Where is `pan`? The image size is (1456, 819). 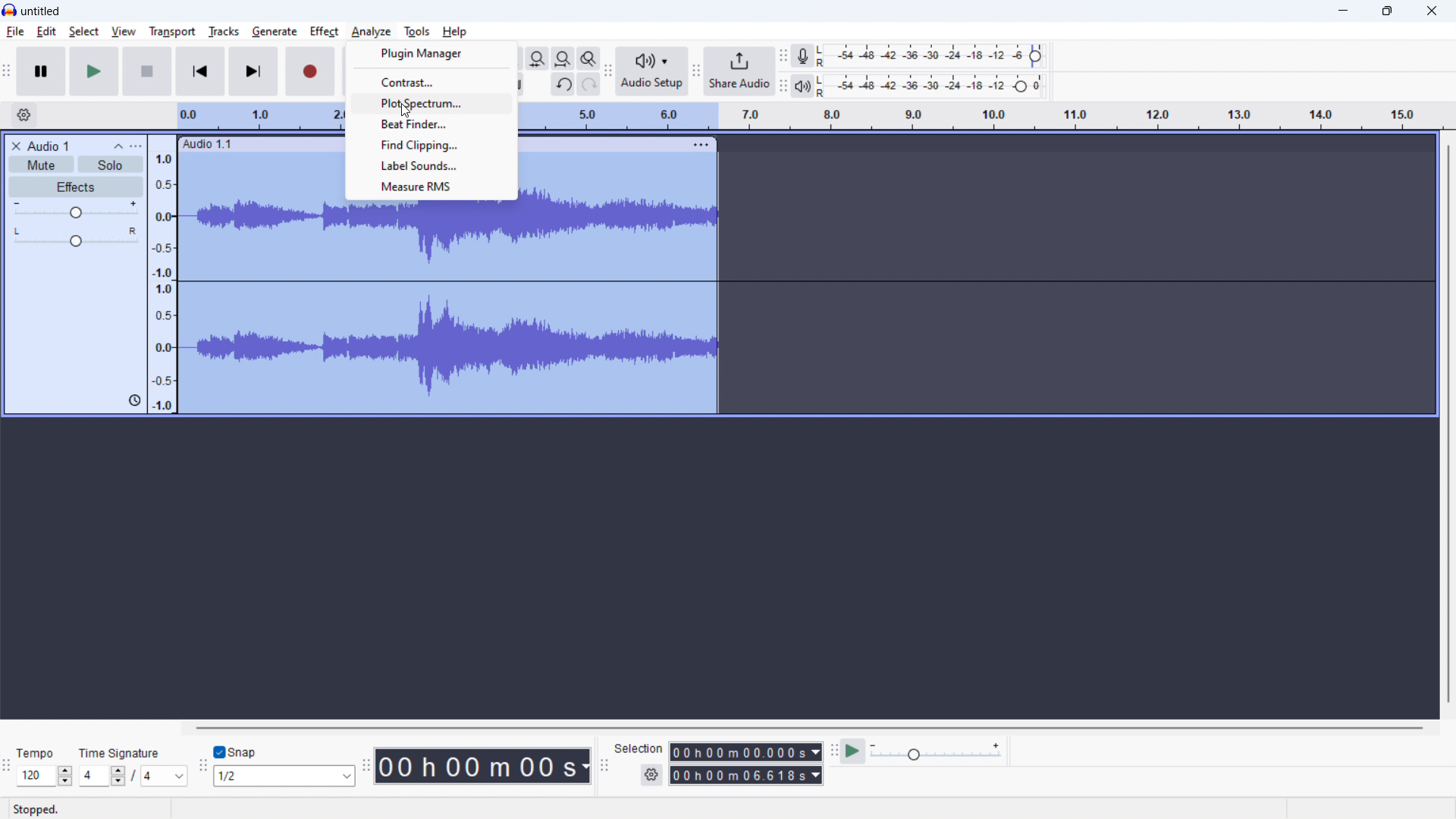 pan is located at coordinates (75, 237).